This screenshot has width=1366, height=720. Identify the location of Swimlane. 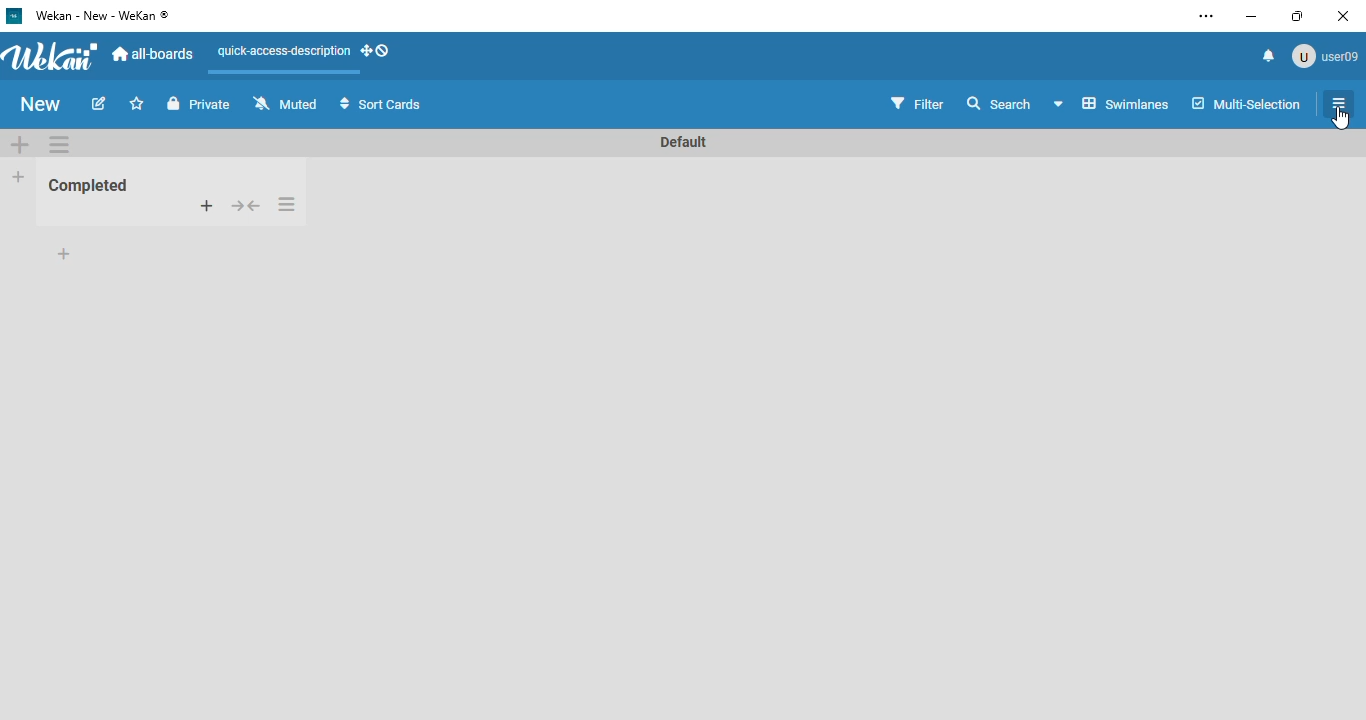
(1112, 103).